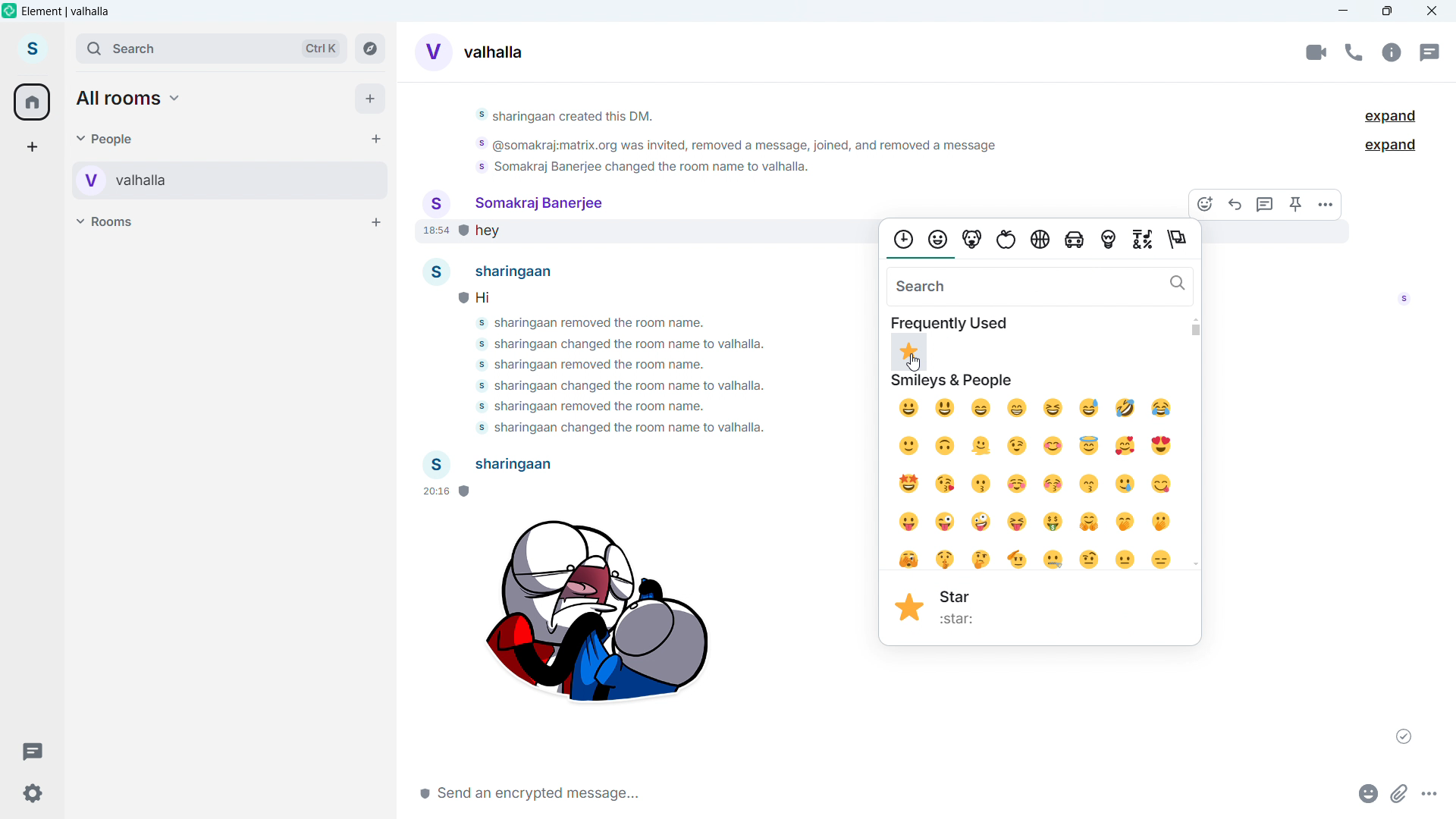 The height and width of the screenshot is (819, 1456). Describe the element at coordinates (1162, 561) in the screenshot. I see `expressionless face` at that location.